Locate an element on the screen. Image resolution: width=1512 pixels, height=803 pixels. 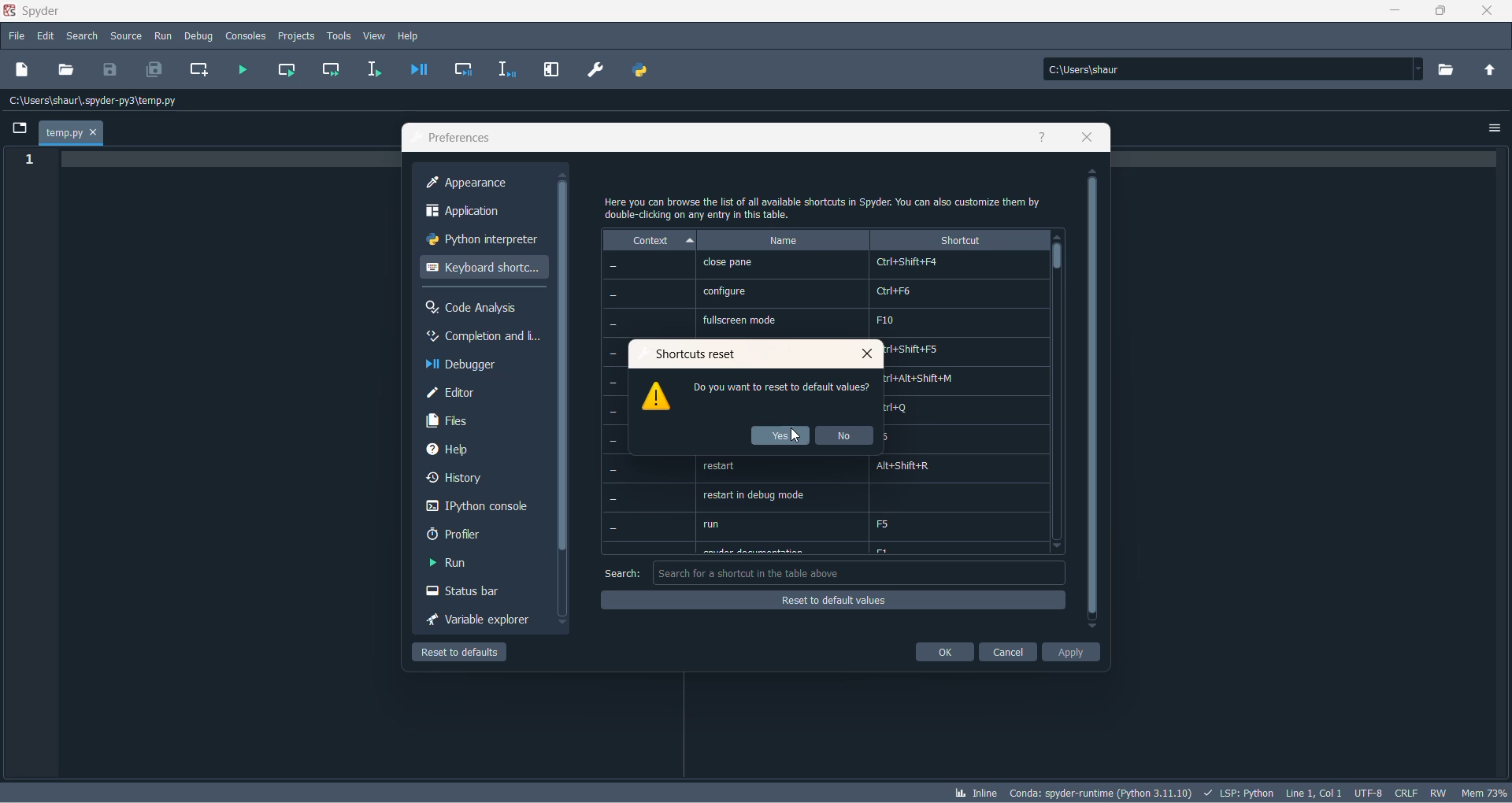
application is located at coordinates (480, 213).